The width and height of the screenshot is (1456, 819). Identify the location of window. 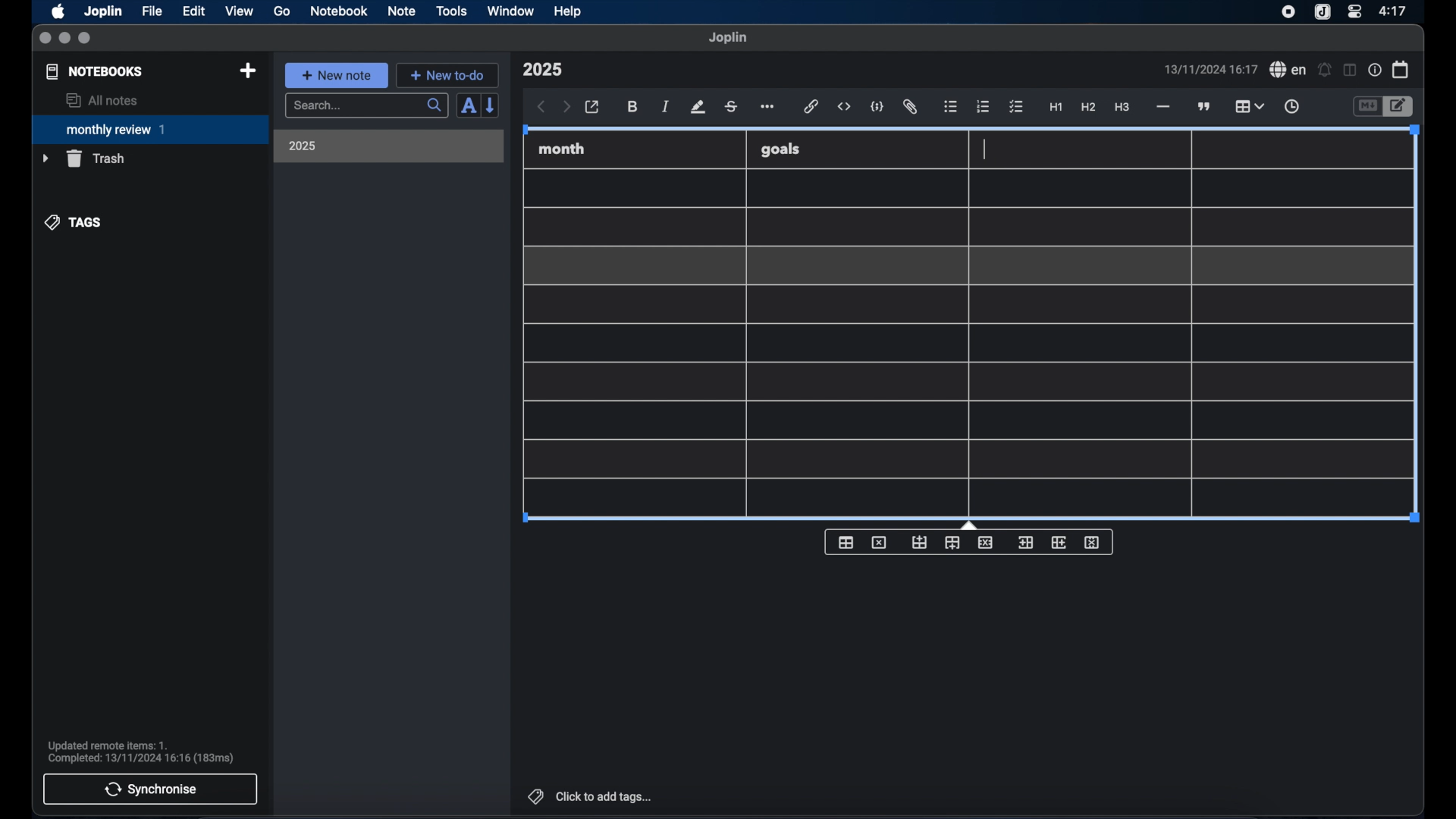
(511, 11).